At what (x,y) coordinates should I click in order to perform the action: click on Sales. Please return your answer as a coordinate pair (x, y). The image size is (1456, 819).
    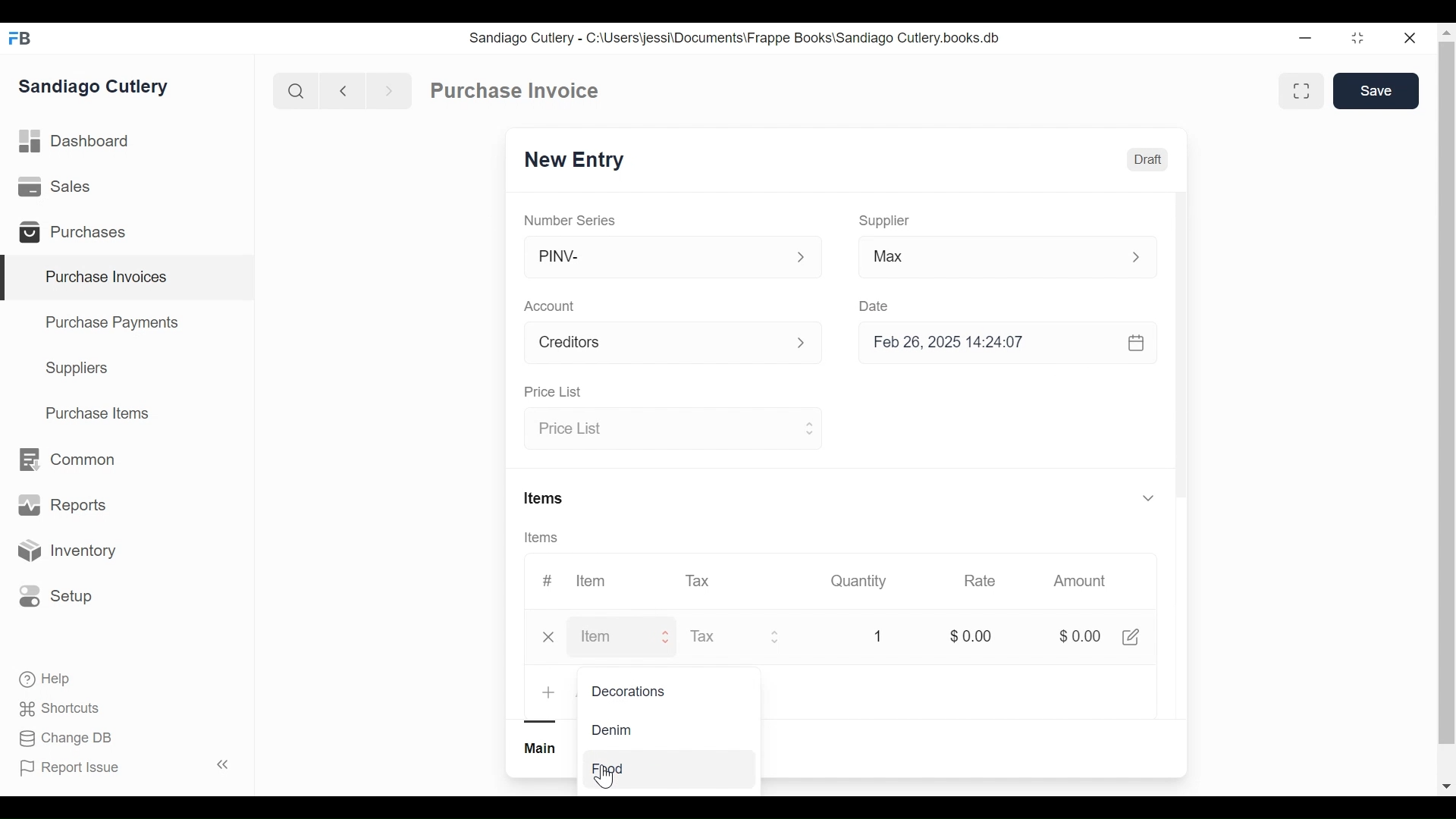
    Looking at the image, I should click on (58, 187).